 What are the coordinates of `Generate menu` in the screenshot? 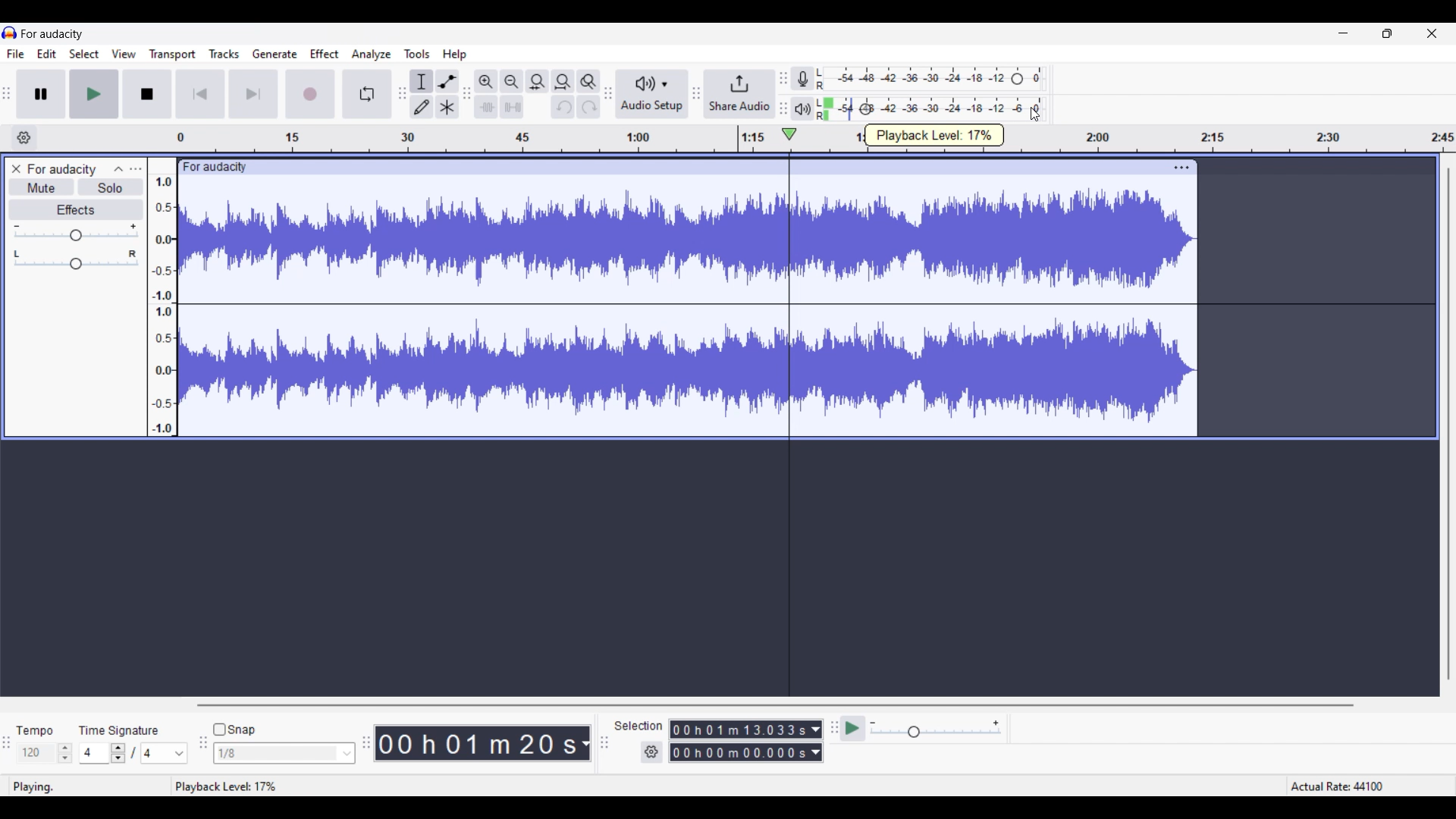 It's located at (275, 54).